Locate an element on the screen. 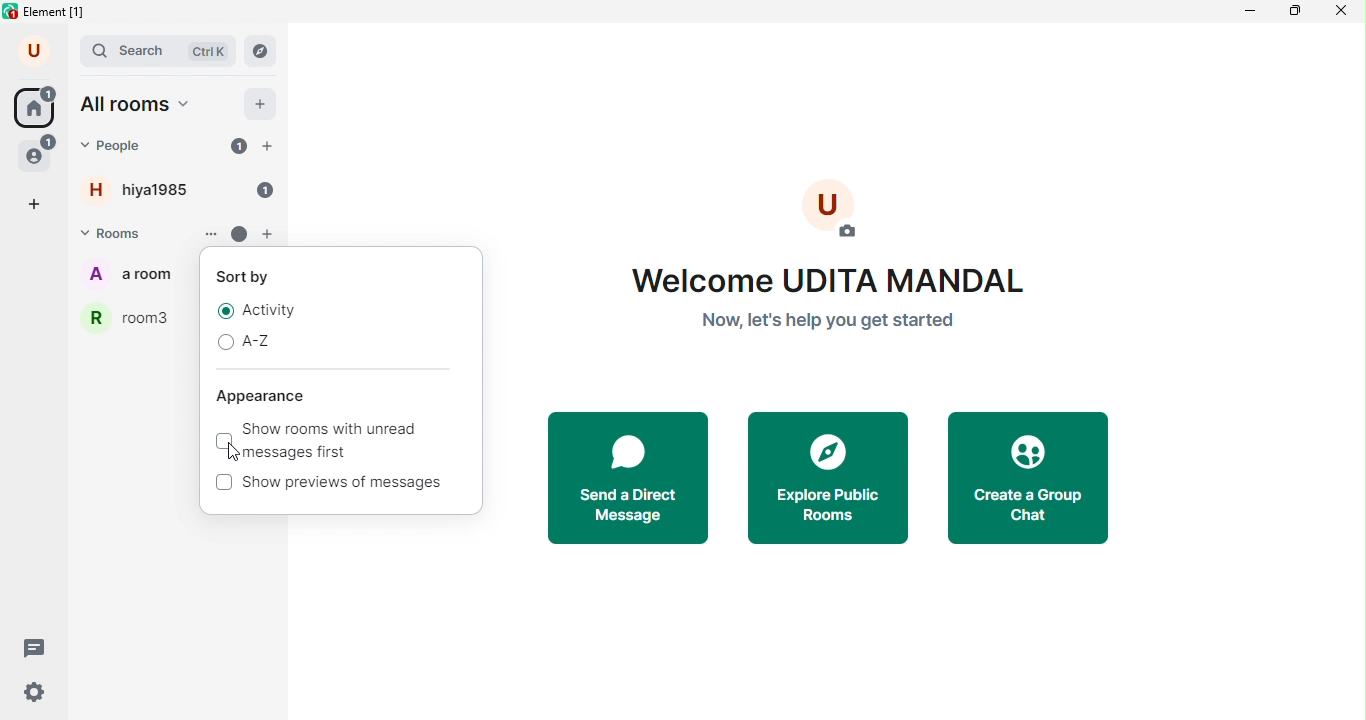 The width and height of the screenshot is (1366, 720). account is located at coordinates (37, 49).